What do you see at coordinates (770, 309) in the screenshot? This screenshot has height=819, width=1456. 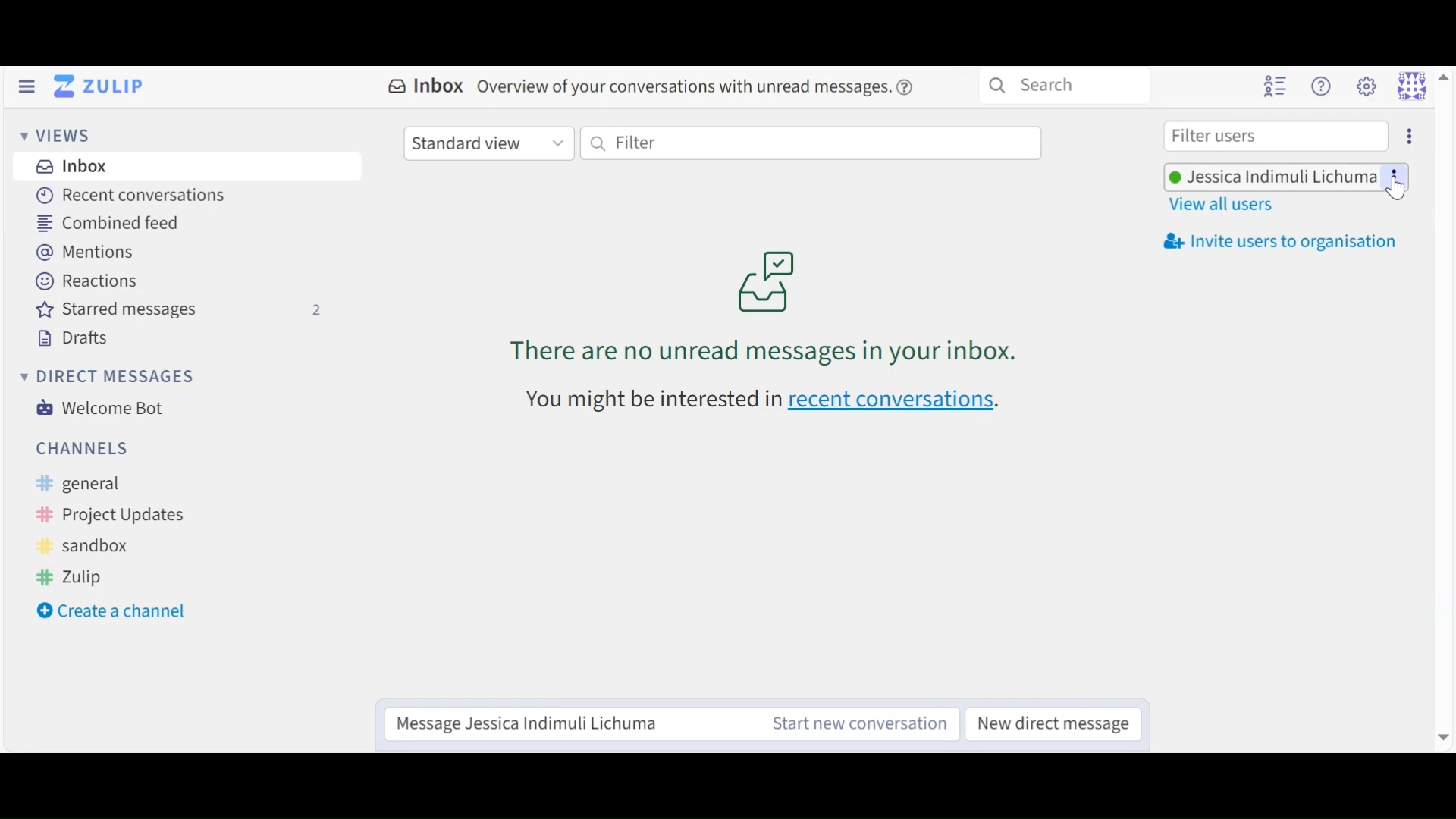 I see `no unread message in your inboxa` at bounding box center [770, 309].